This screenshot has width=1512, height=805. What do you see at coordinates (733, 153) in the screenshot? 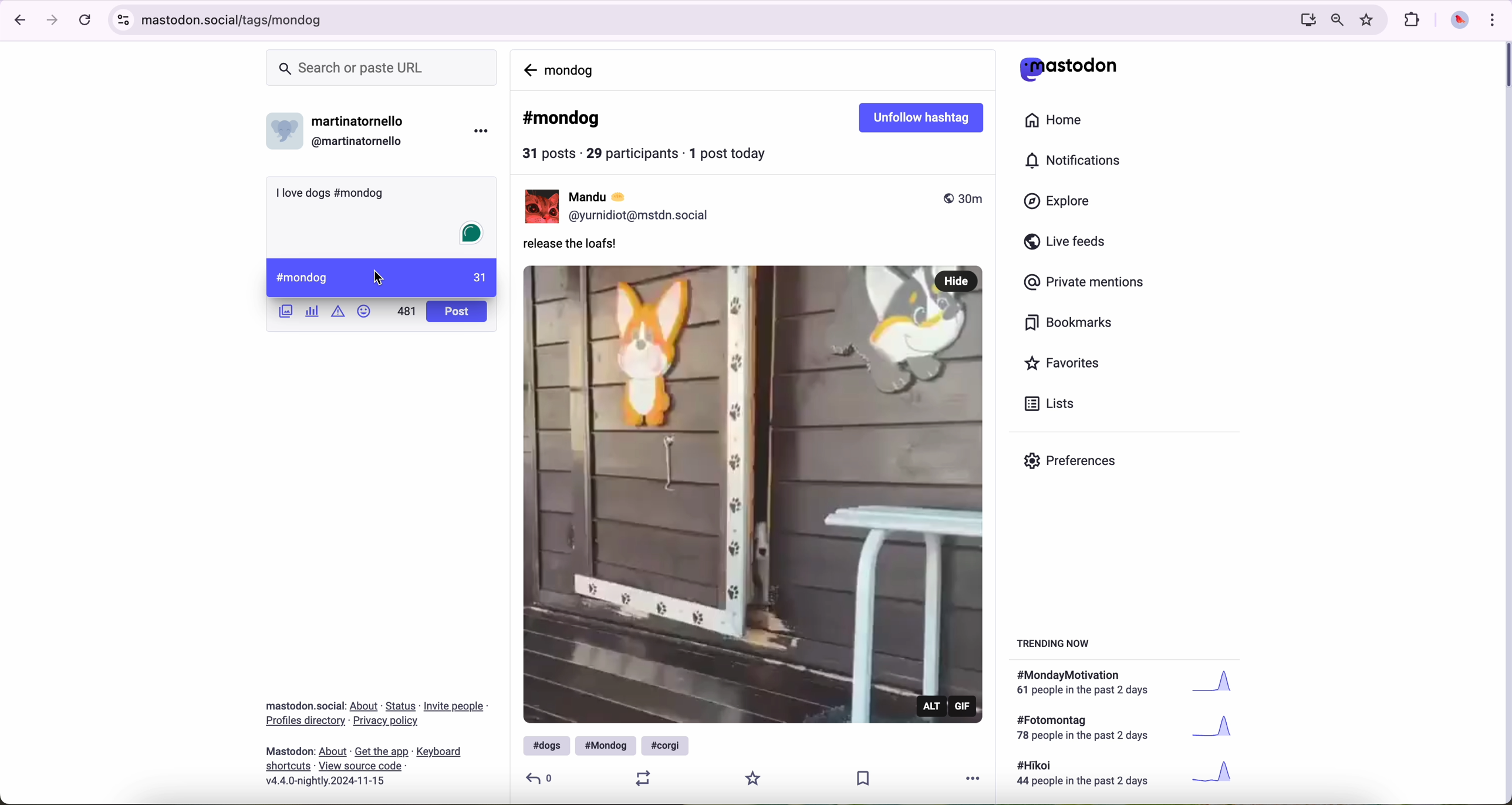
I see `1 post today` at bounding box center [733, 153].